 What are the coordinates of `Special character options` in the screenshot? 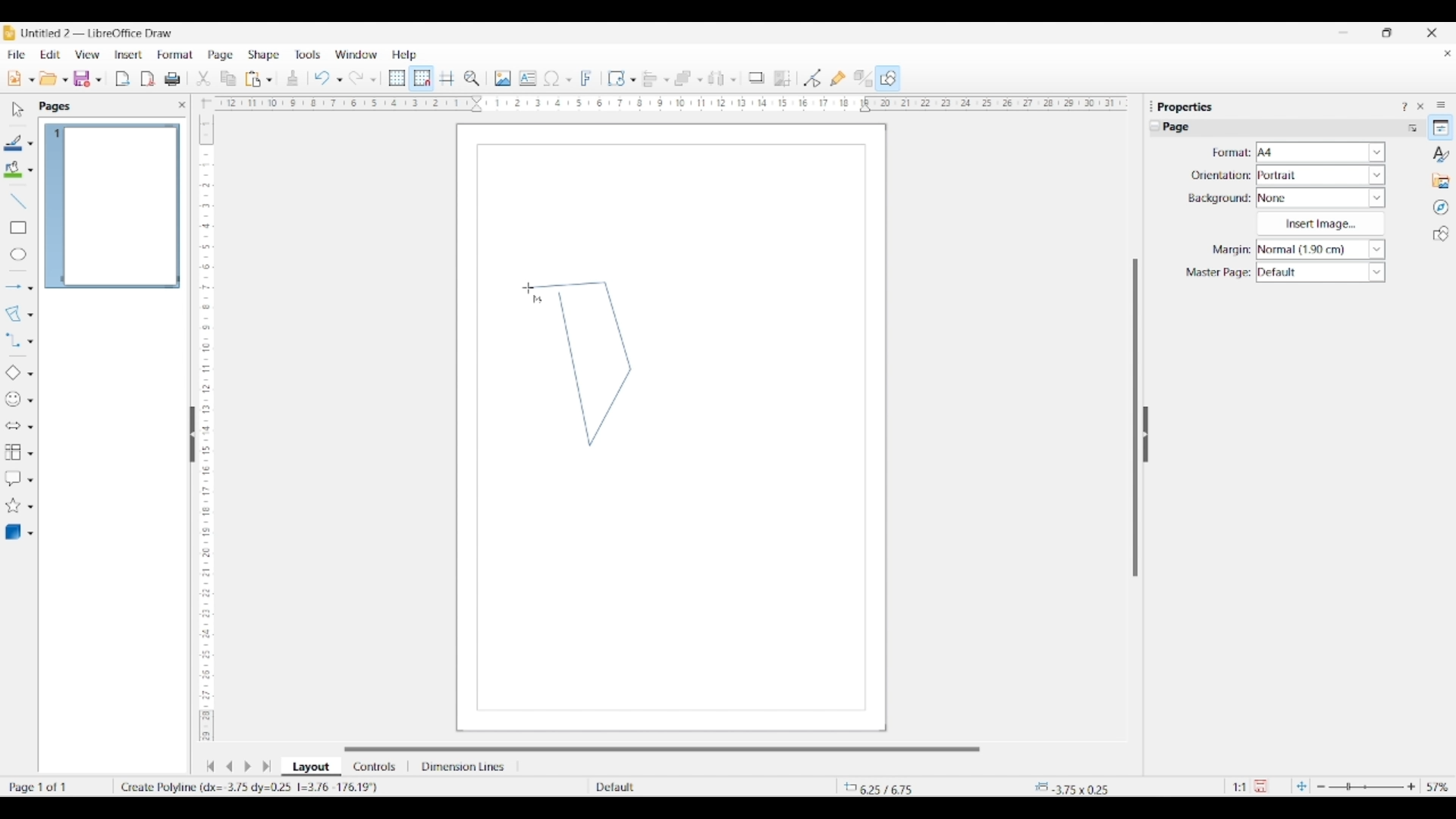 It's located at (569, 80).